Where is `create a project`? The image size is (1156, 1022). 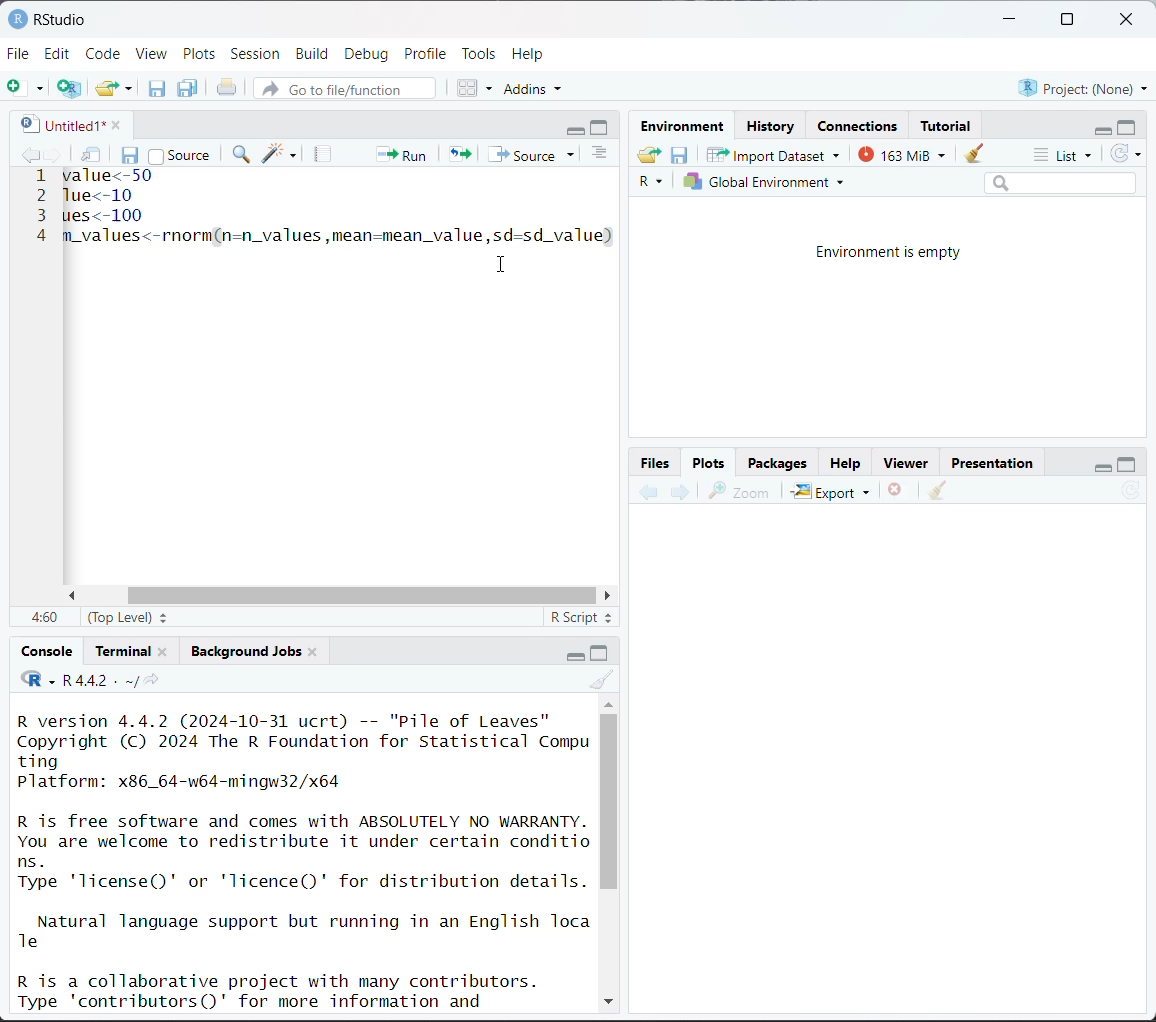 create a project is located at coordinates (69, 88).